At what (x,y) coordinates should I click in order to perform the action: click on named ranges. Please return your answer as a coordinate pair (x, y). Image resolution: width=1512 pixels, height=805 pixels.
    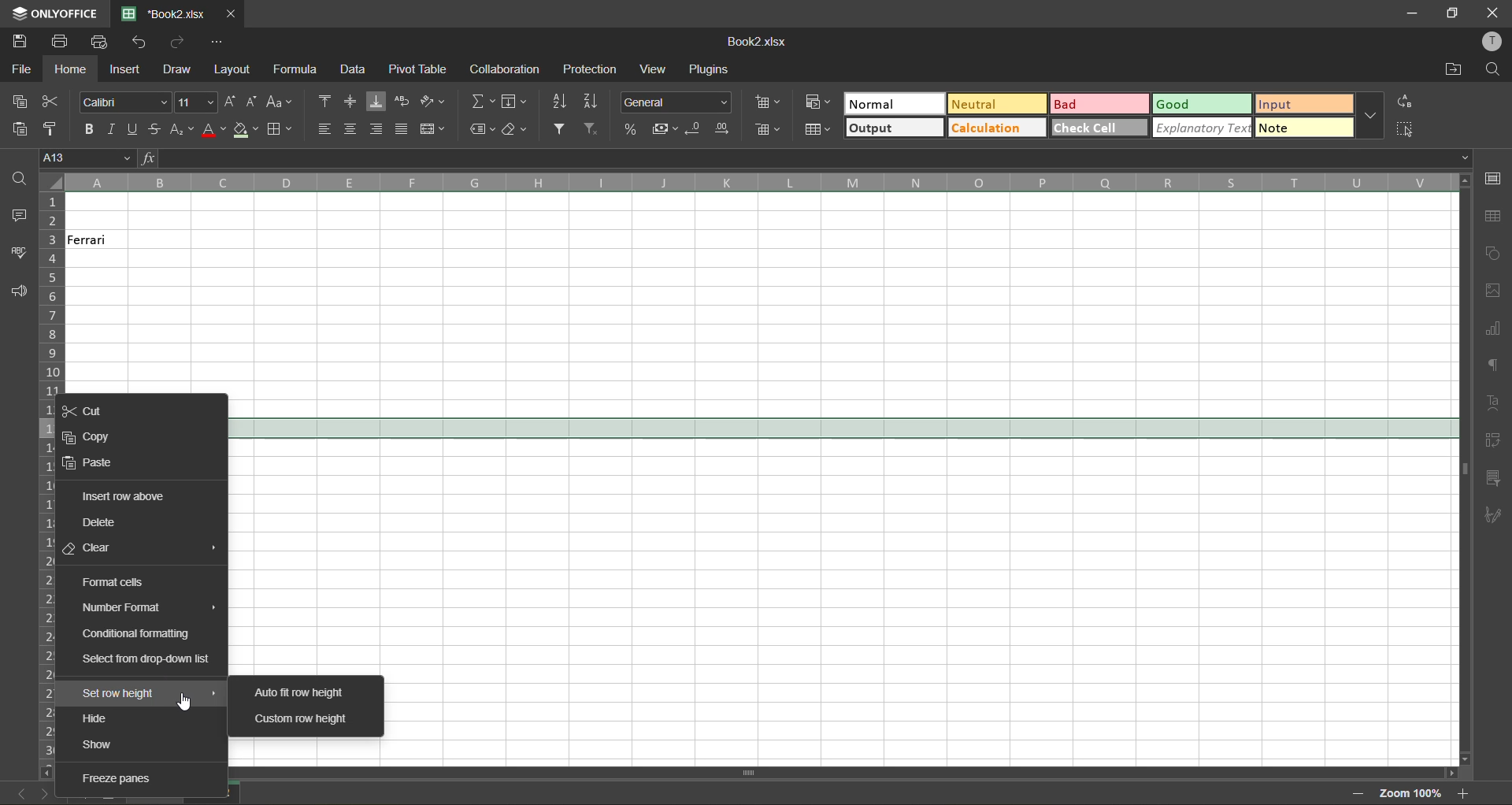
    Looking at the image, I should click on (484, 128).